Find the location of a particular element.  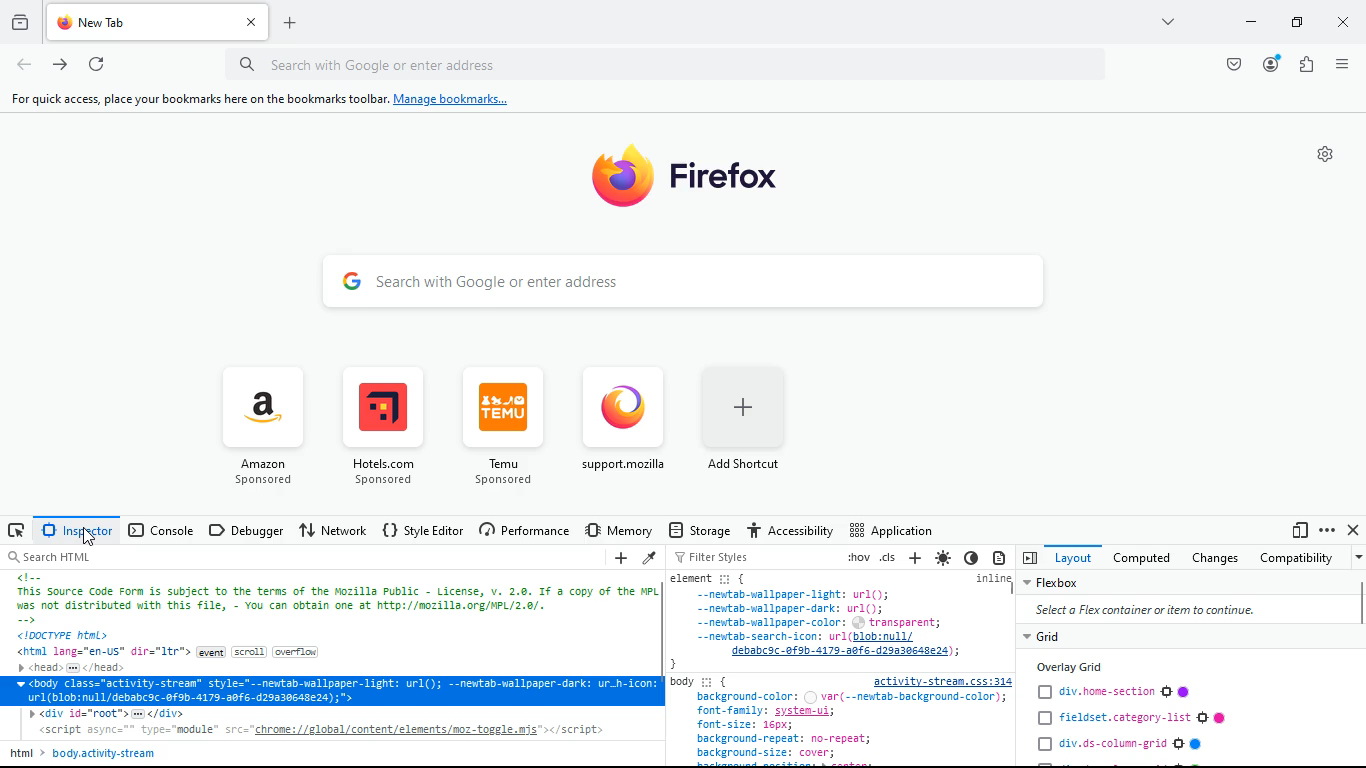

memory is located at coordinates (621, 529).